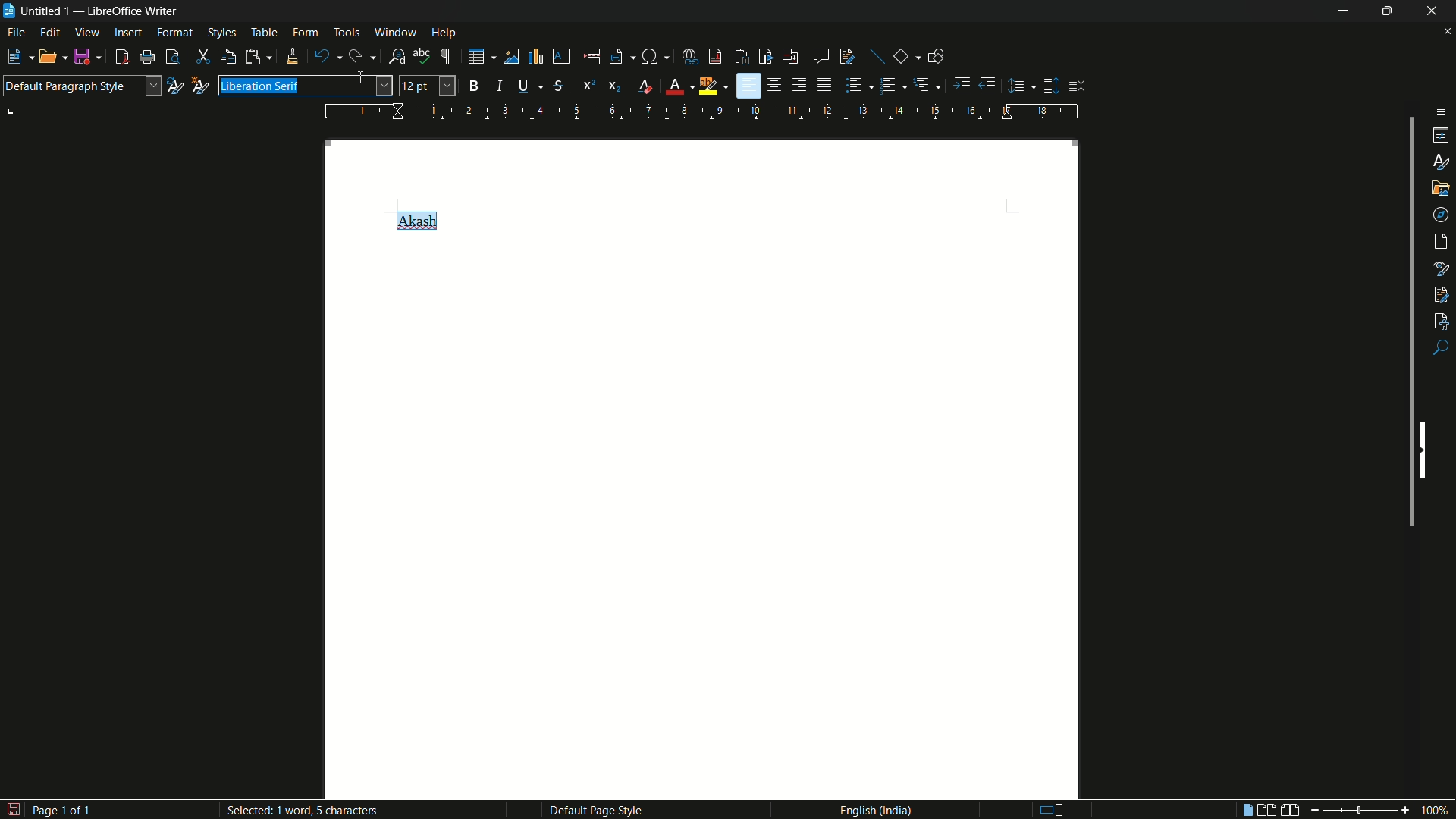 This screenshot has width=1456, height=819. I want to click on file name, so click(47, 11).